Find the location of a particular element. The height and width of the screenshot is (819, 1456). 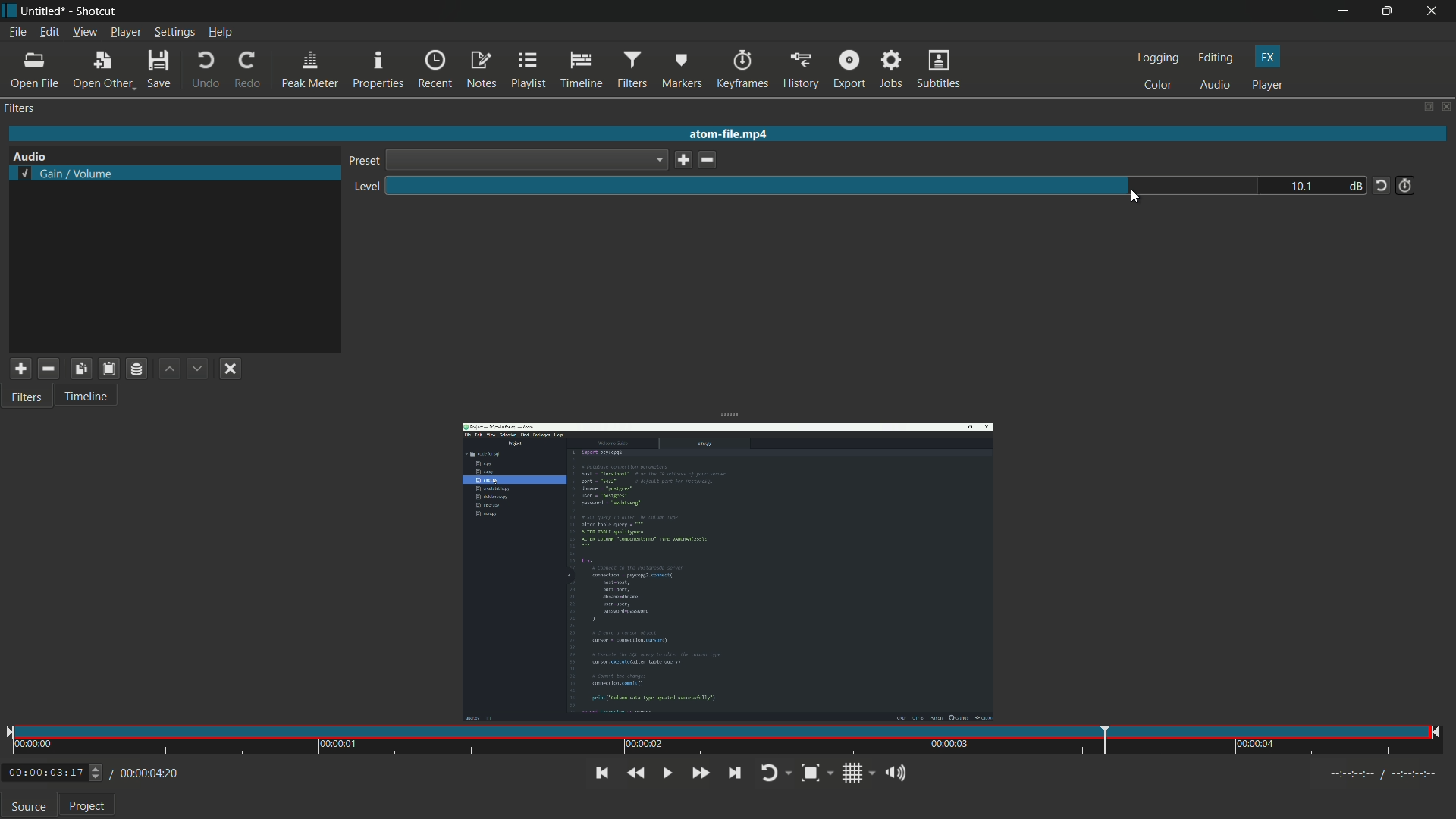

Timeline is located at coordinates (93, 399).